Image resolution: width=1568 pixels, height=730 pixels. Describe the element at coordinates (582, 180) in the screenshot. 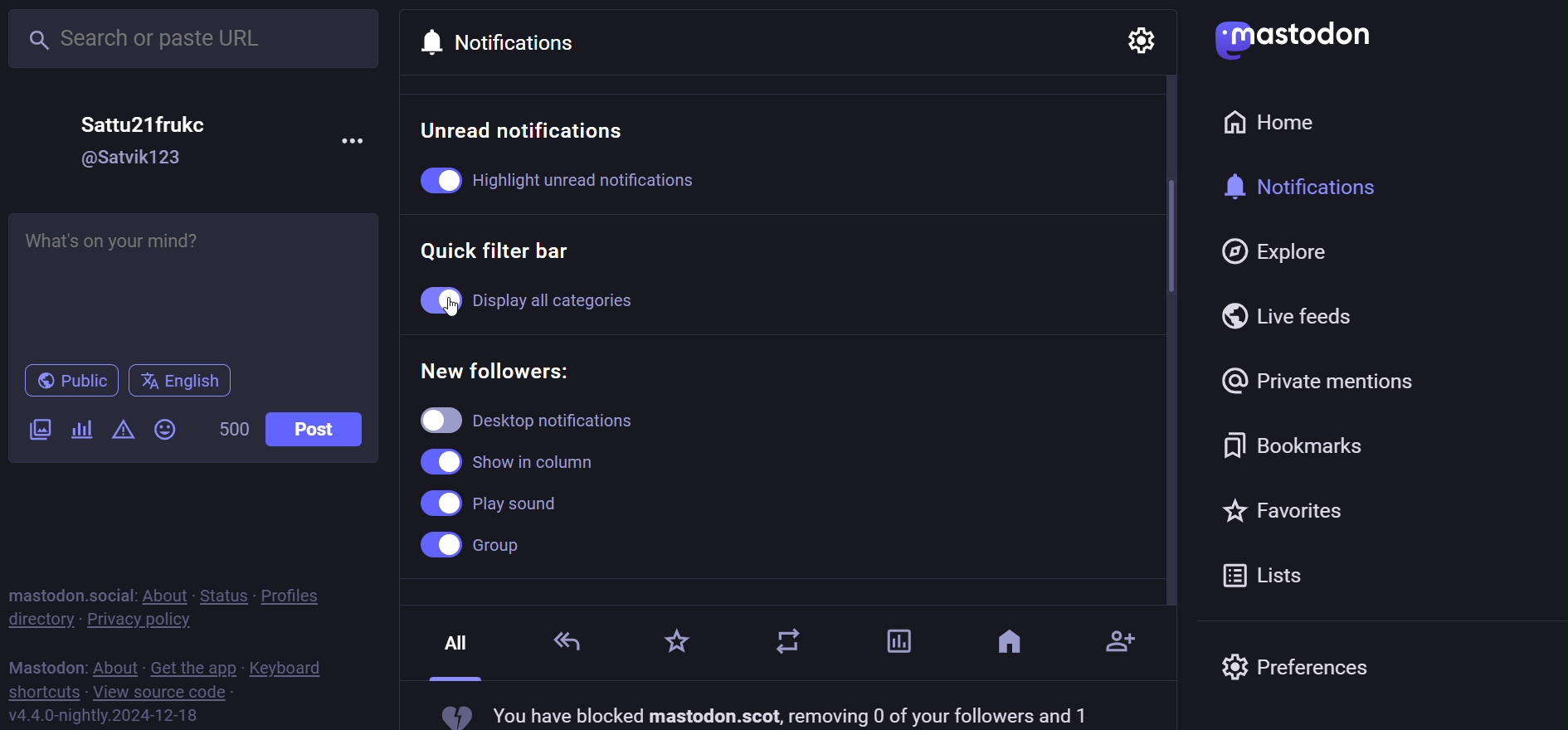

I see `highlight unread notification` at that location.